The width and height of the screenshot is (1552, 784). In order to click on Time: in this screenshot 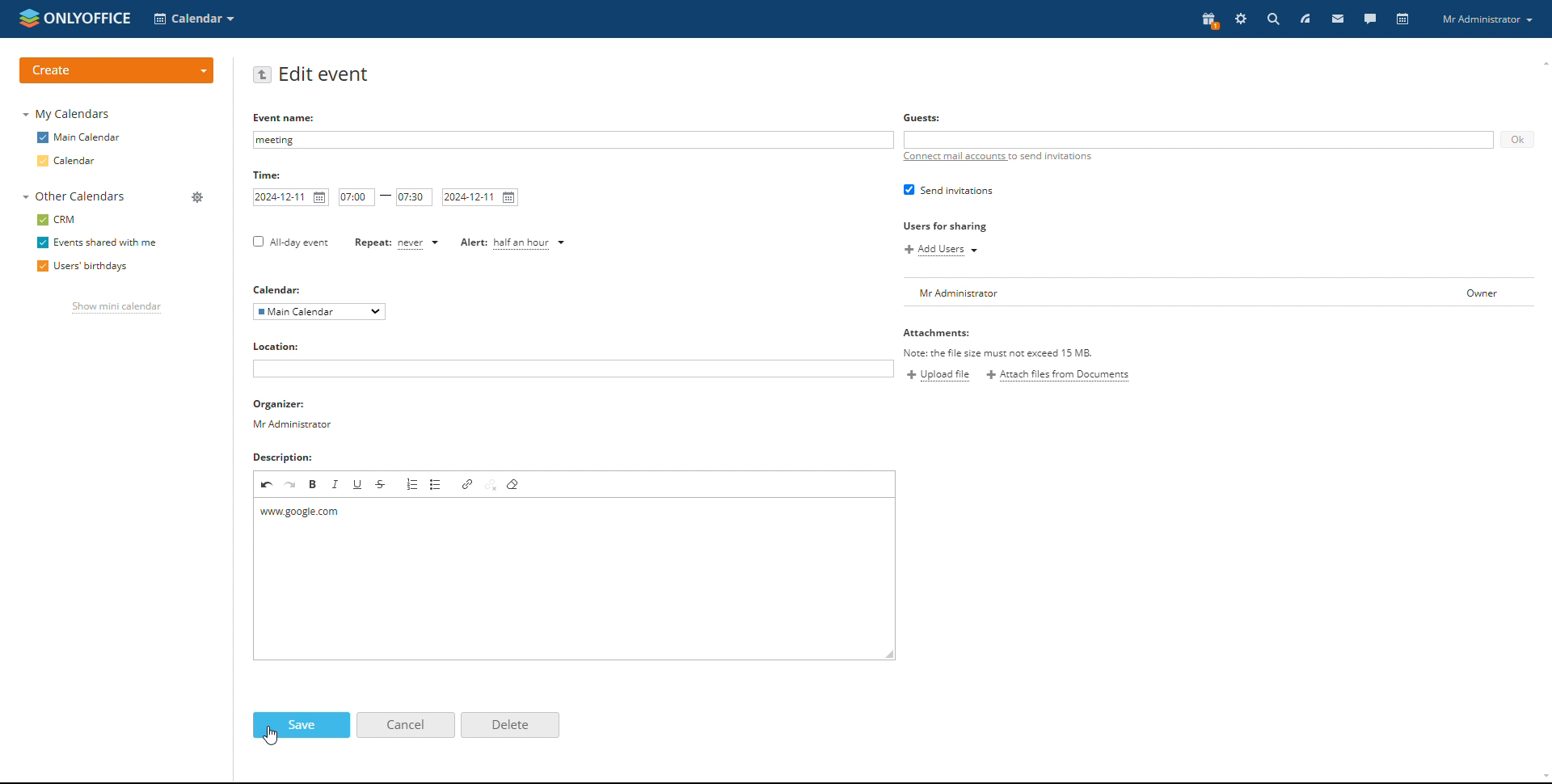, I will do `click(268, 175)`.